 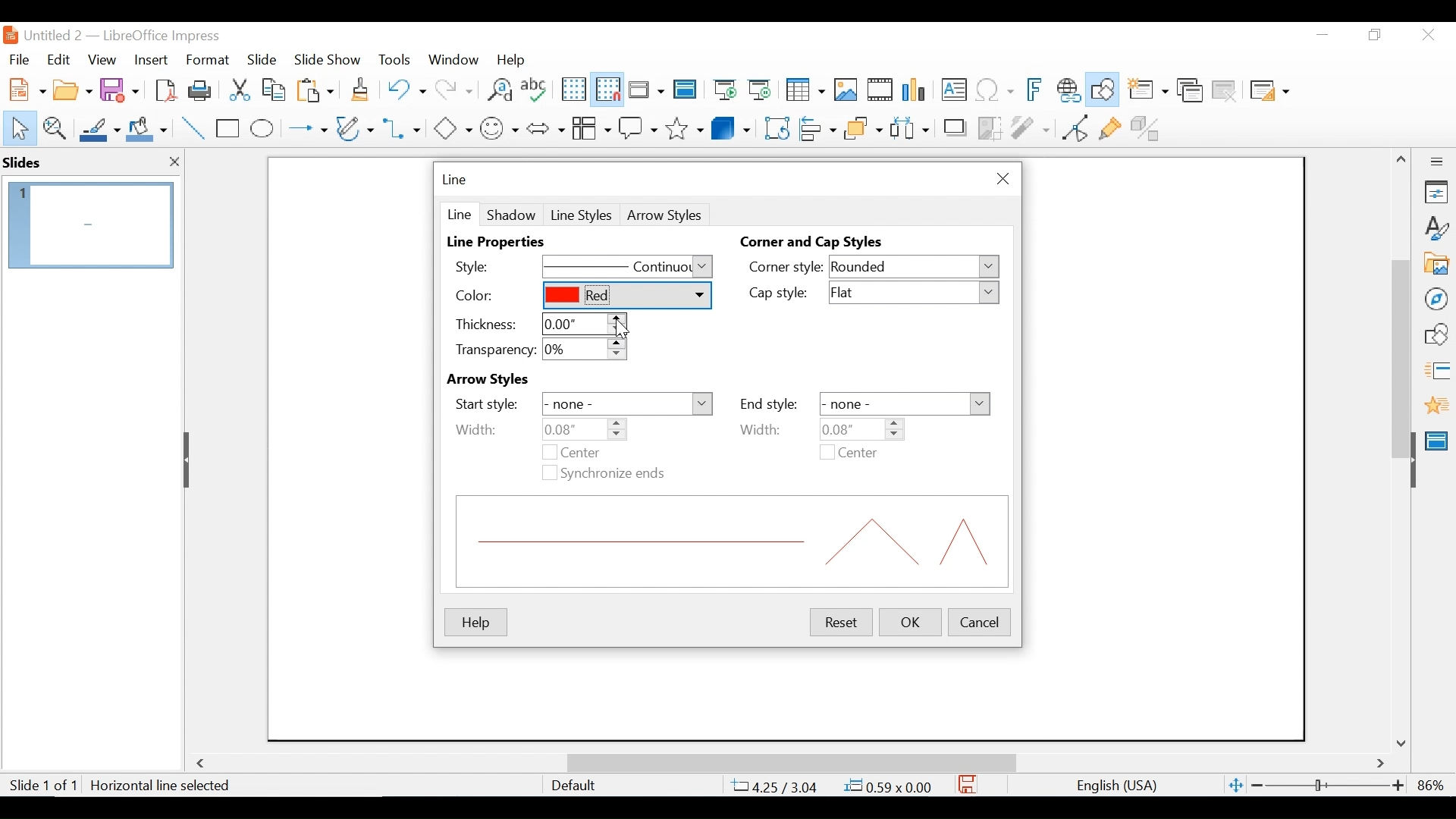 What do you see at coordinates (262, 129) in the screenshot?
I see `Ellipse` at bounding box center [262, 129].